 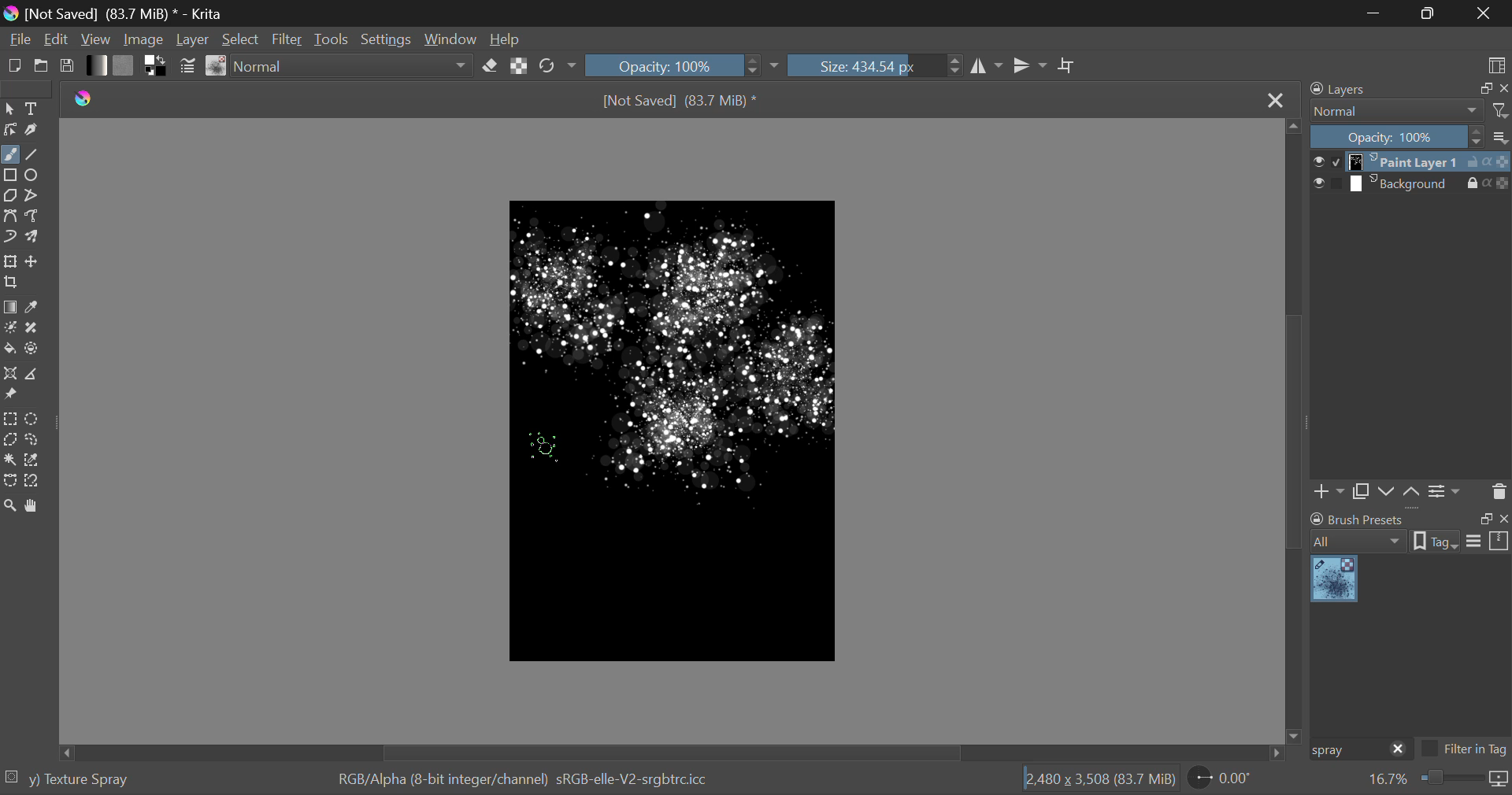 I want to click on Choose Workspace, so click(x=1496, y=65).